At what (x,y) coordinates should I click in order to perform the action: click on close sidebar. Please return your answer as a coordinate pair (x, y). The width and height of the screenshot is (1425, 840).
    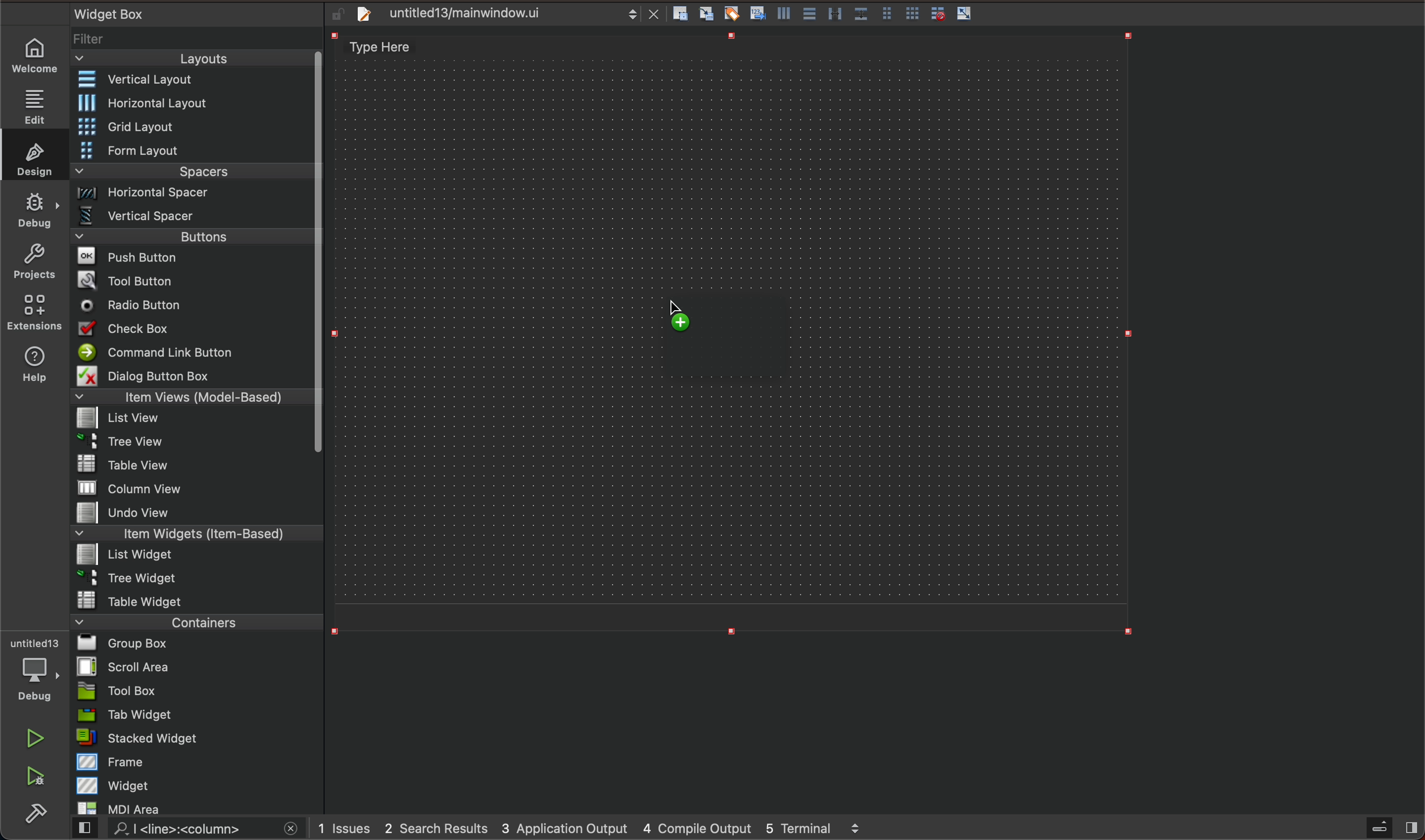
    Looking at the image, I should click on (1390, 828).